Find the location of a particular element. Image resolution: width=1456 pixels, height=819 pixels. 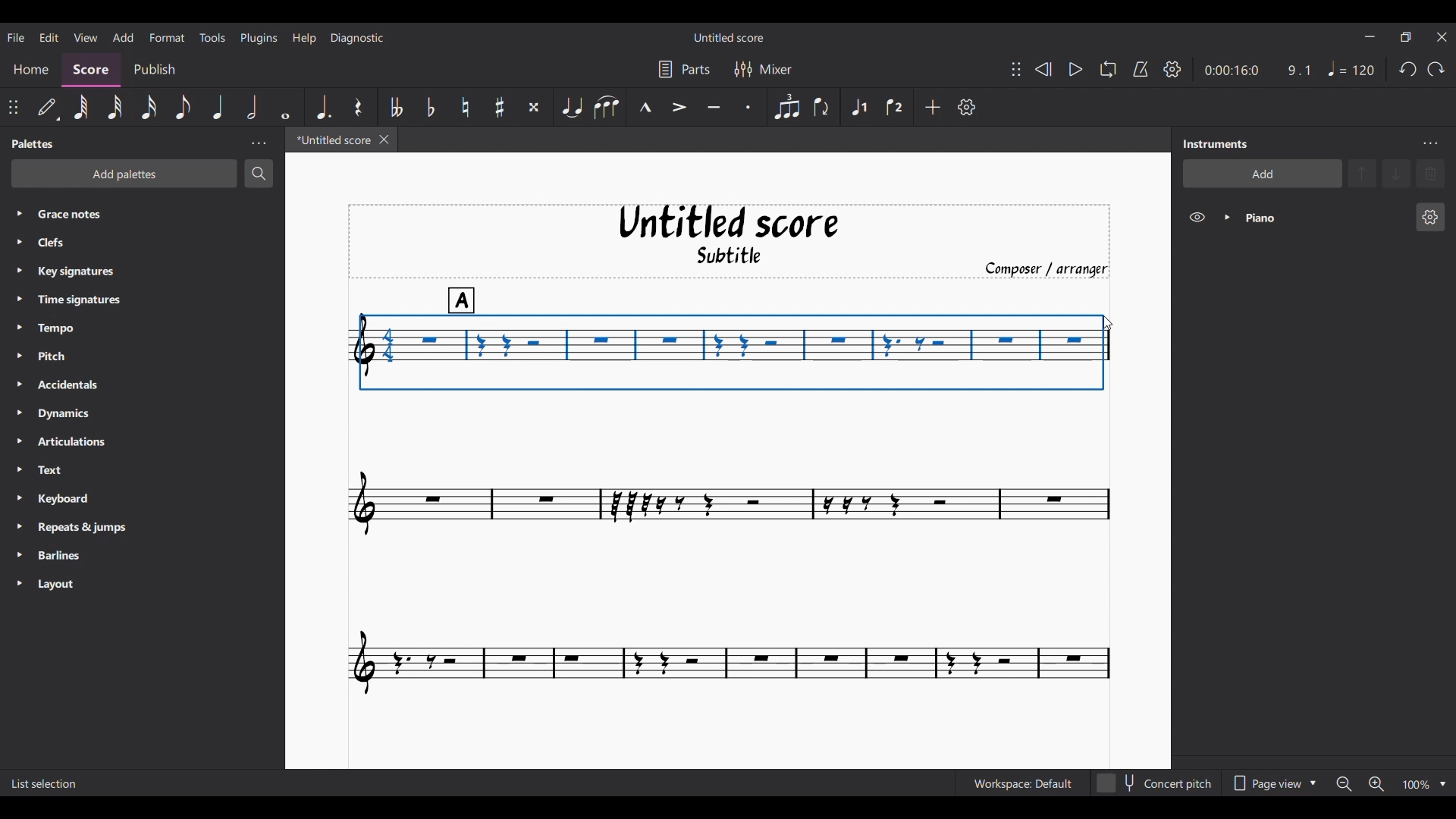

Play is located at coordinates (1075, 69).